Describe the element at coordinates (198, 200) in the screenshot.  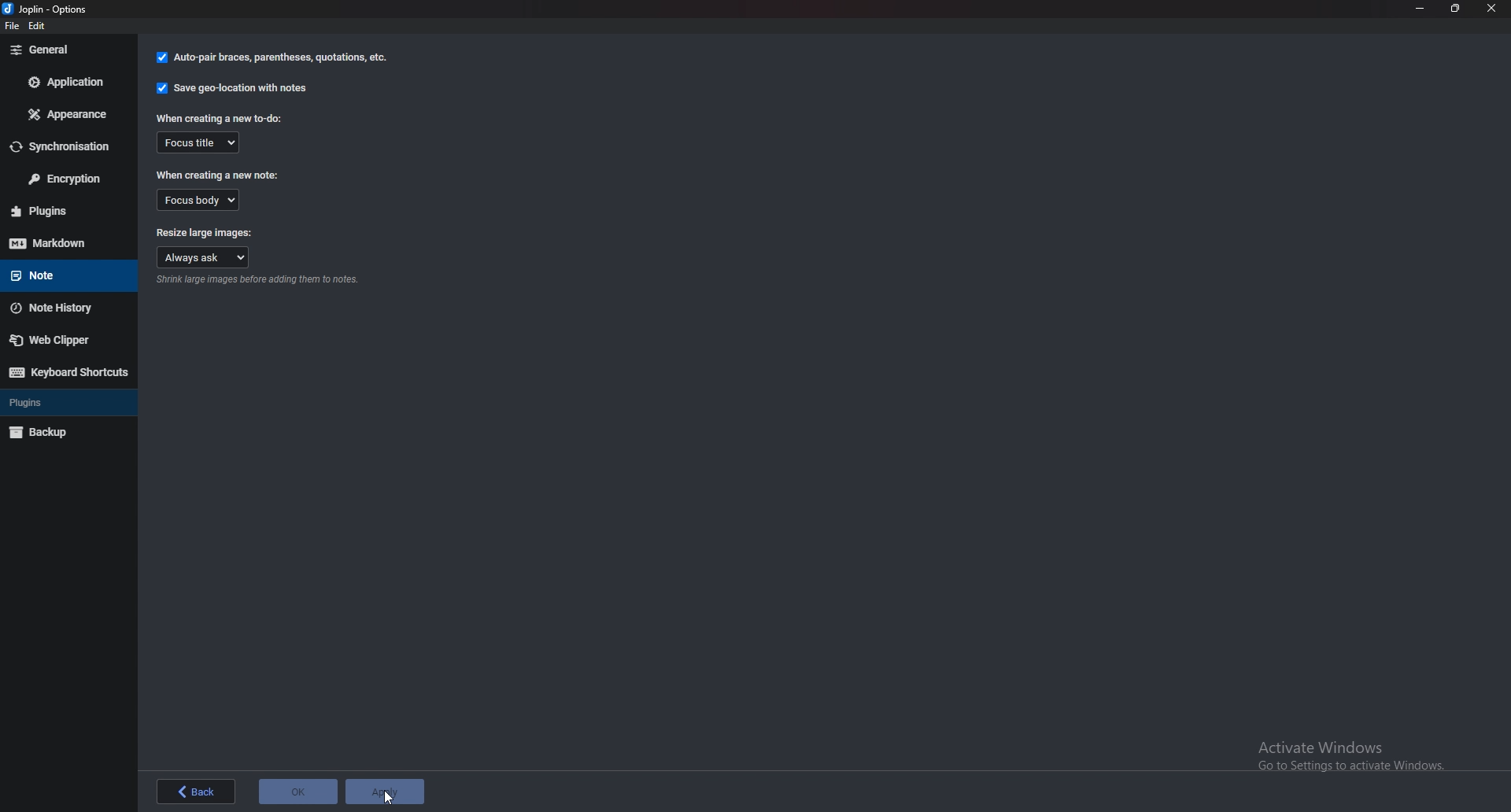
I see `Focus body` at that location.